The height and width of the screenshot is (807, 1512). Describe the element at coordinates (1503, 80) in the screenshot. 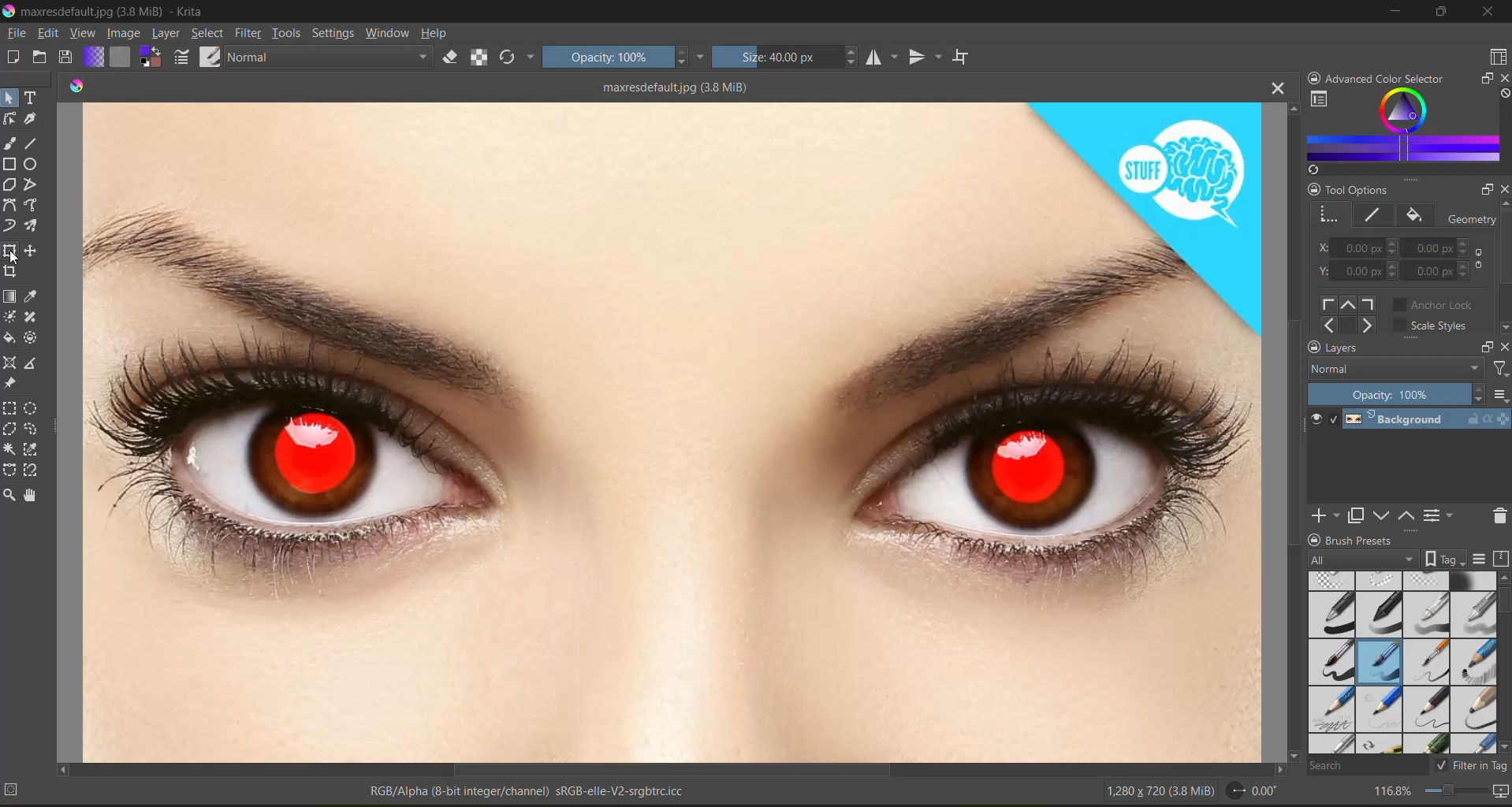

I see `close docker` at that location.